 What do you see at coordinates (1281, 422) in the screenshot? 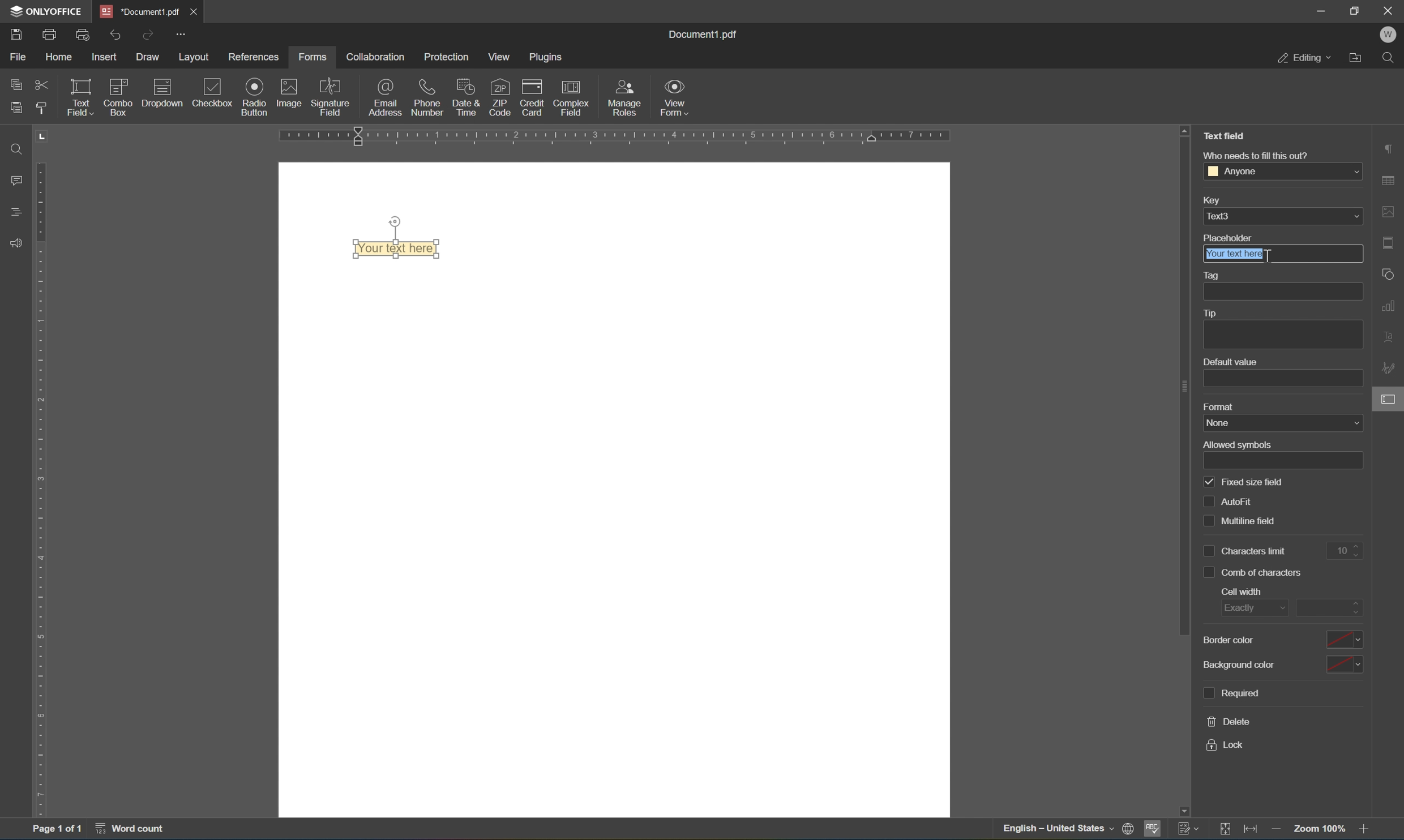
I see `name` at bounding box center [1281, 422].